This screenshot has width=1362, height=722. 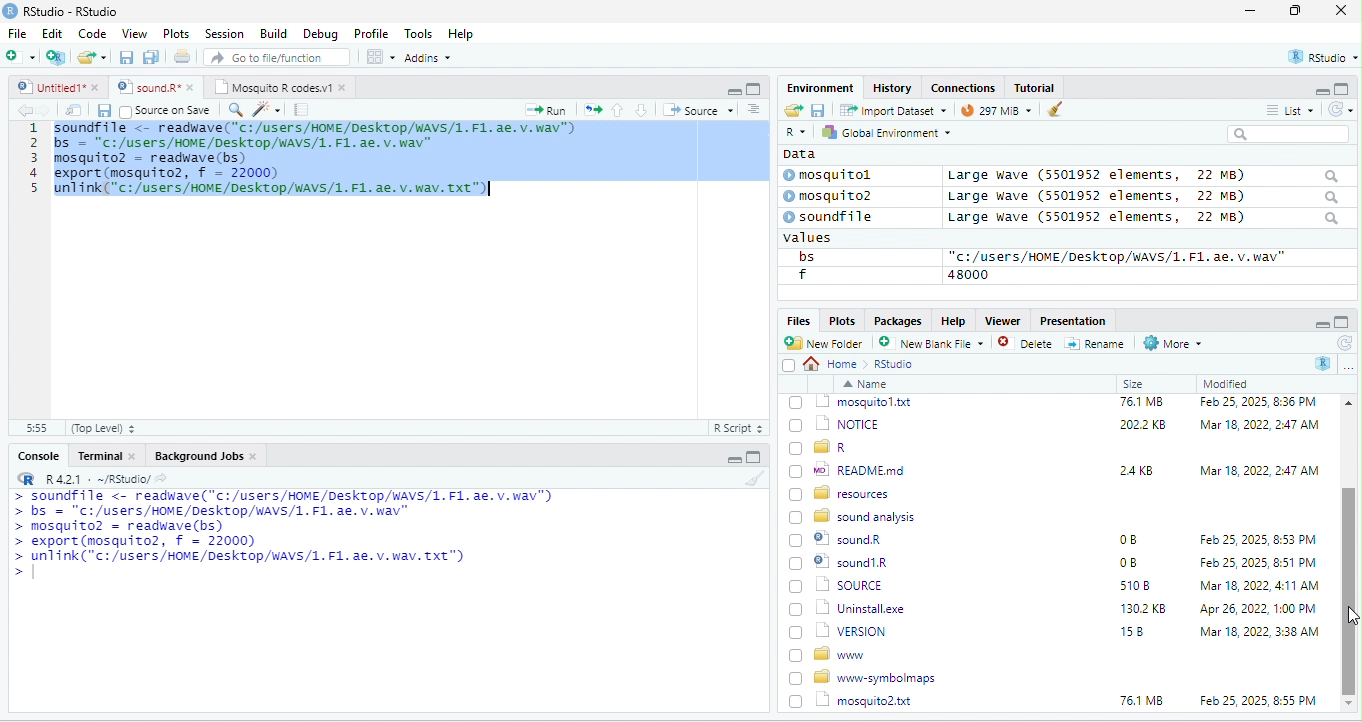 I want to click on maximize, so click(x=753, y=88).